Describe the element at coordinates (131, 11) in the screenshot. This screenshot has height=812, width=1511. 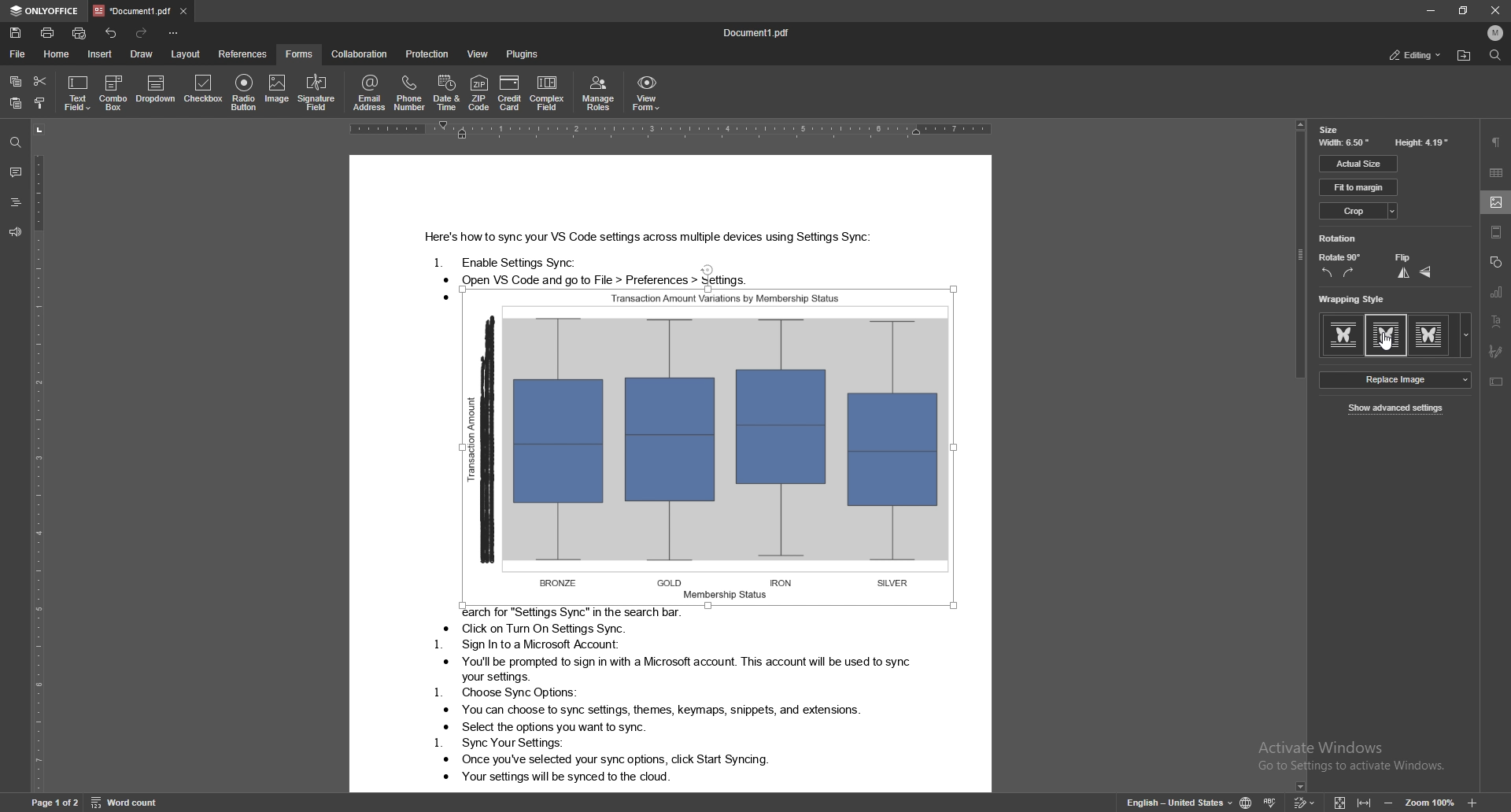
I see `tab` at that location.